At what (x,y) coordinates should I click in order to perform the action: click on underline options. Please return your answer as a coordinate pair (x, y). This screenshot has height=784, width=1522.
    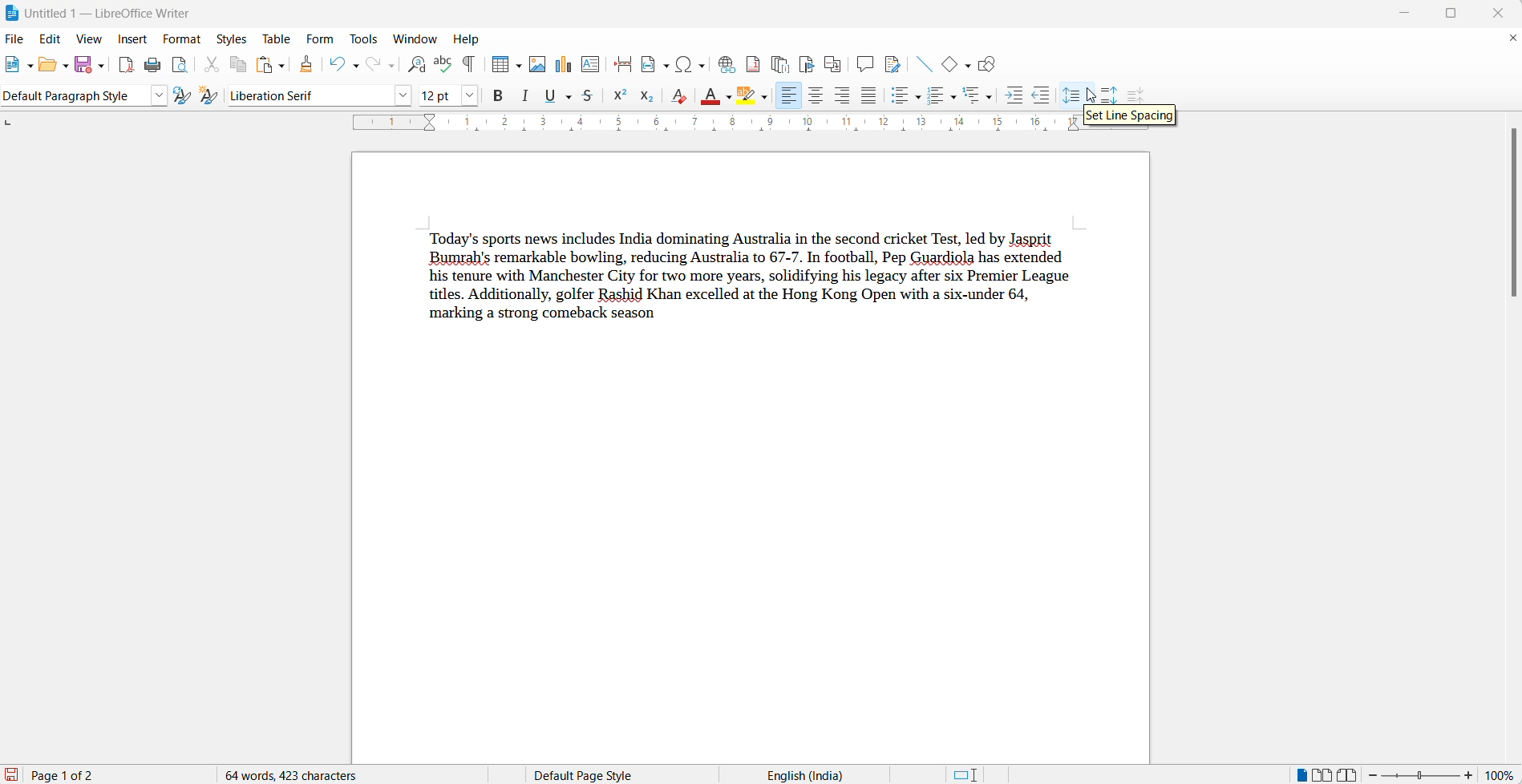
    Looking at the image, I should click on (569, 98).